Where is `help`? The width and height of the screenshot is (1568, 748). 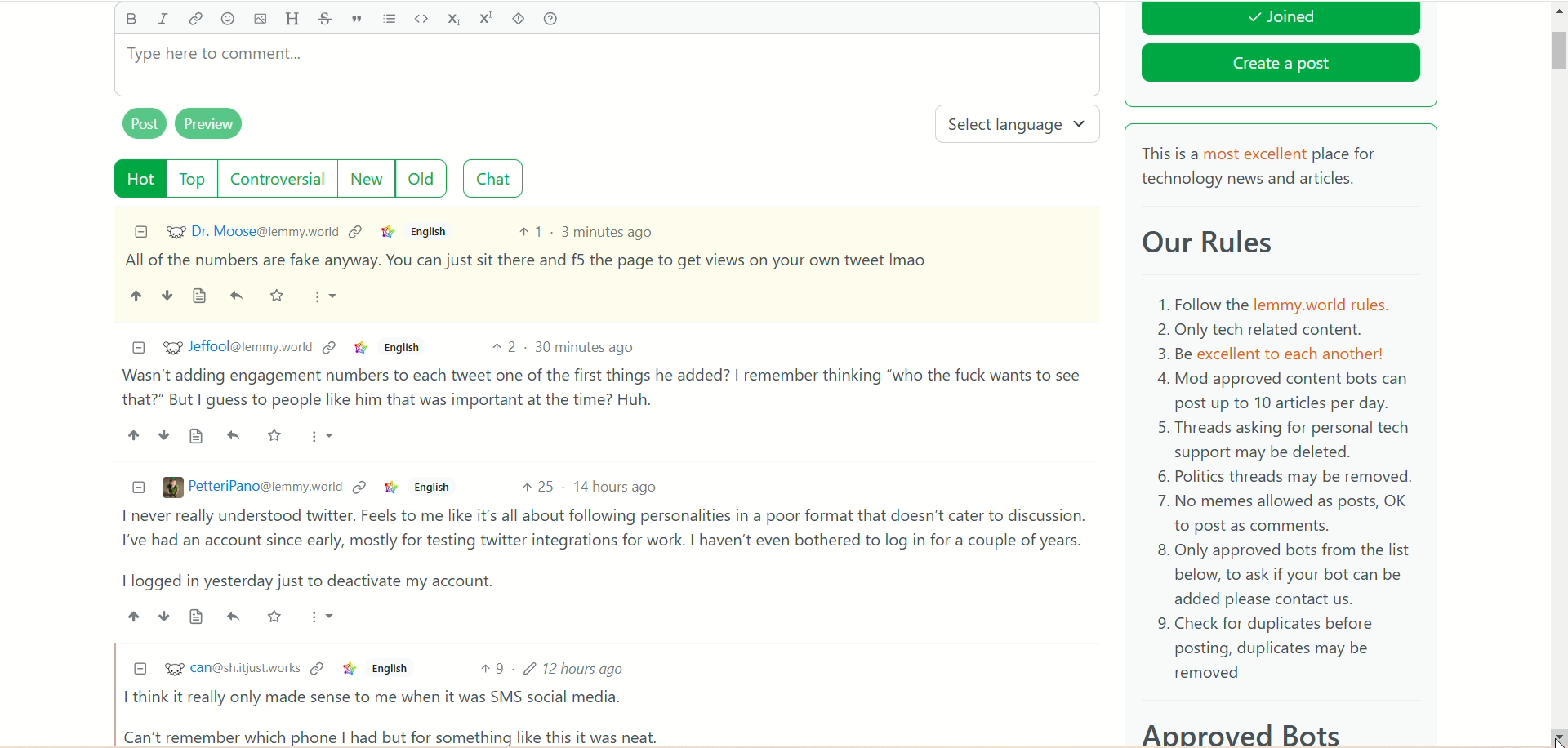 help is located at coordinates (550, 20).